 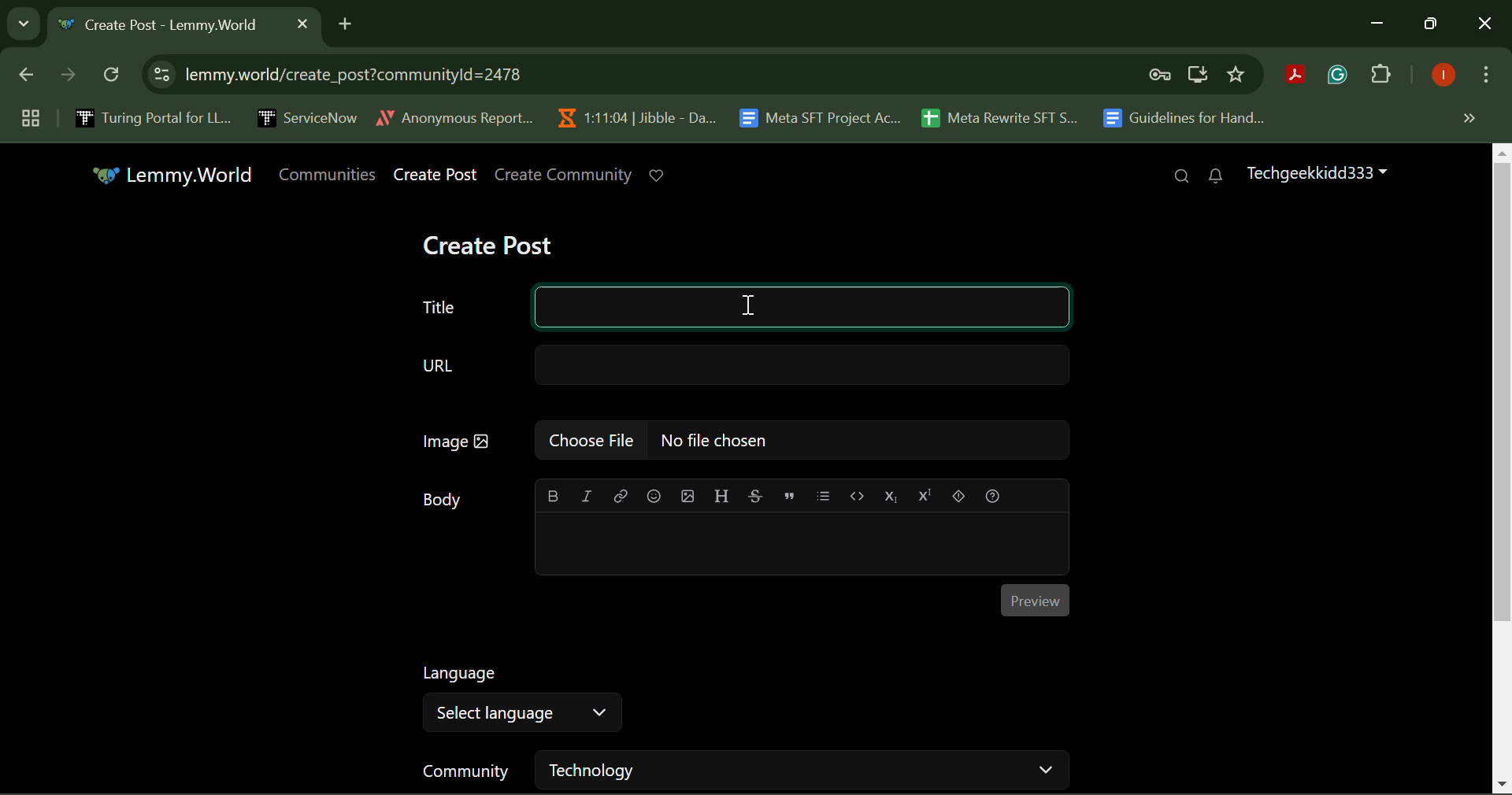 What do you see at coordinates (1214, 176) in the screenshot?
I see `Notifications` at bounding box center [1214, 176].